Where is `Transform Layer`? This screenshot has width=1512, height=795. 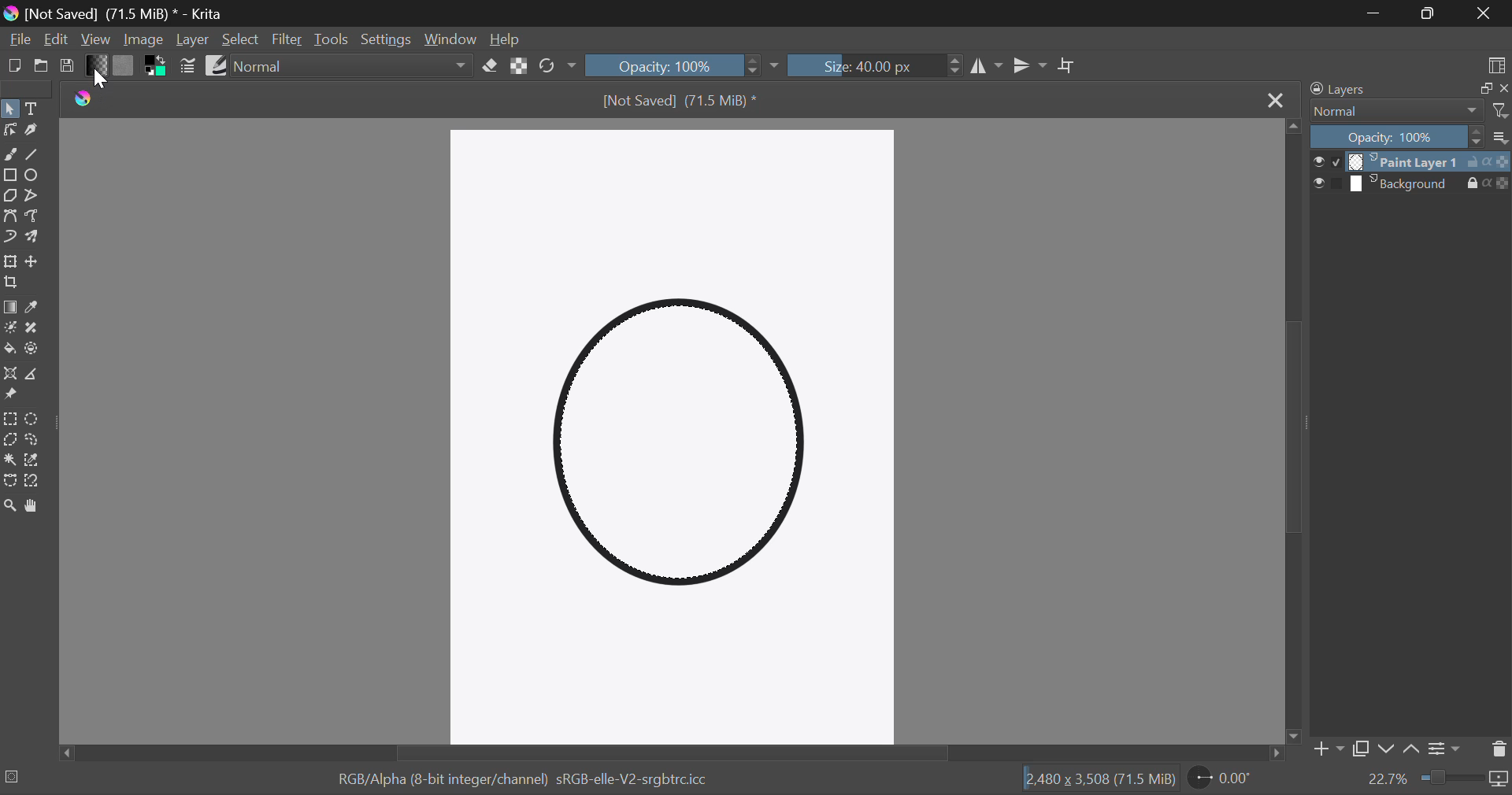
Transform Layer is located at coordinates (11, 263).